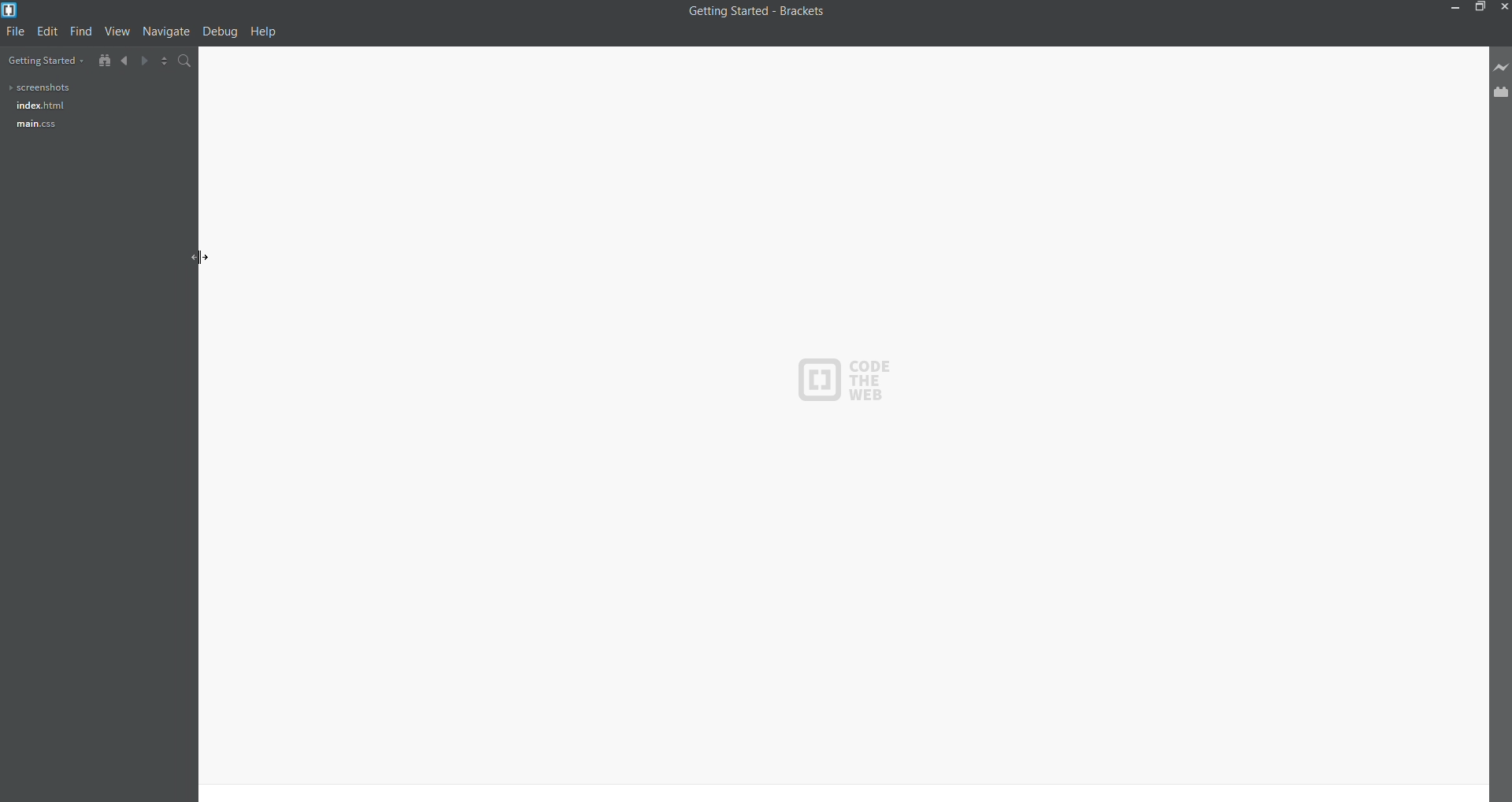  I want to click on forward, so click(138, 61).